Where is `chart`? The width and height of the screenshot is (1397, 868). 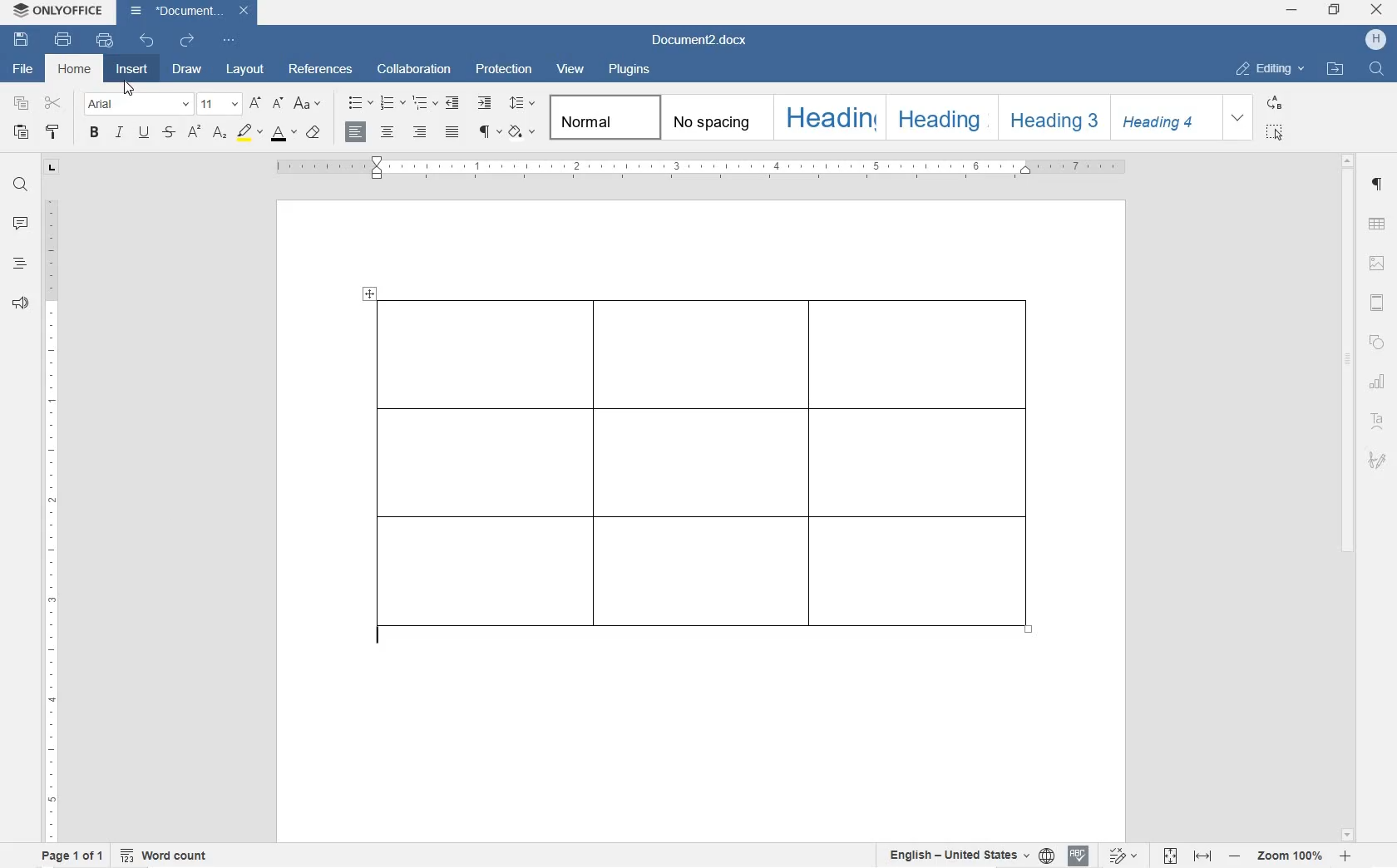 chart is located at coordinates (1380, 381).